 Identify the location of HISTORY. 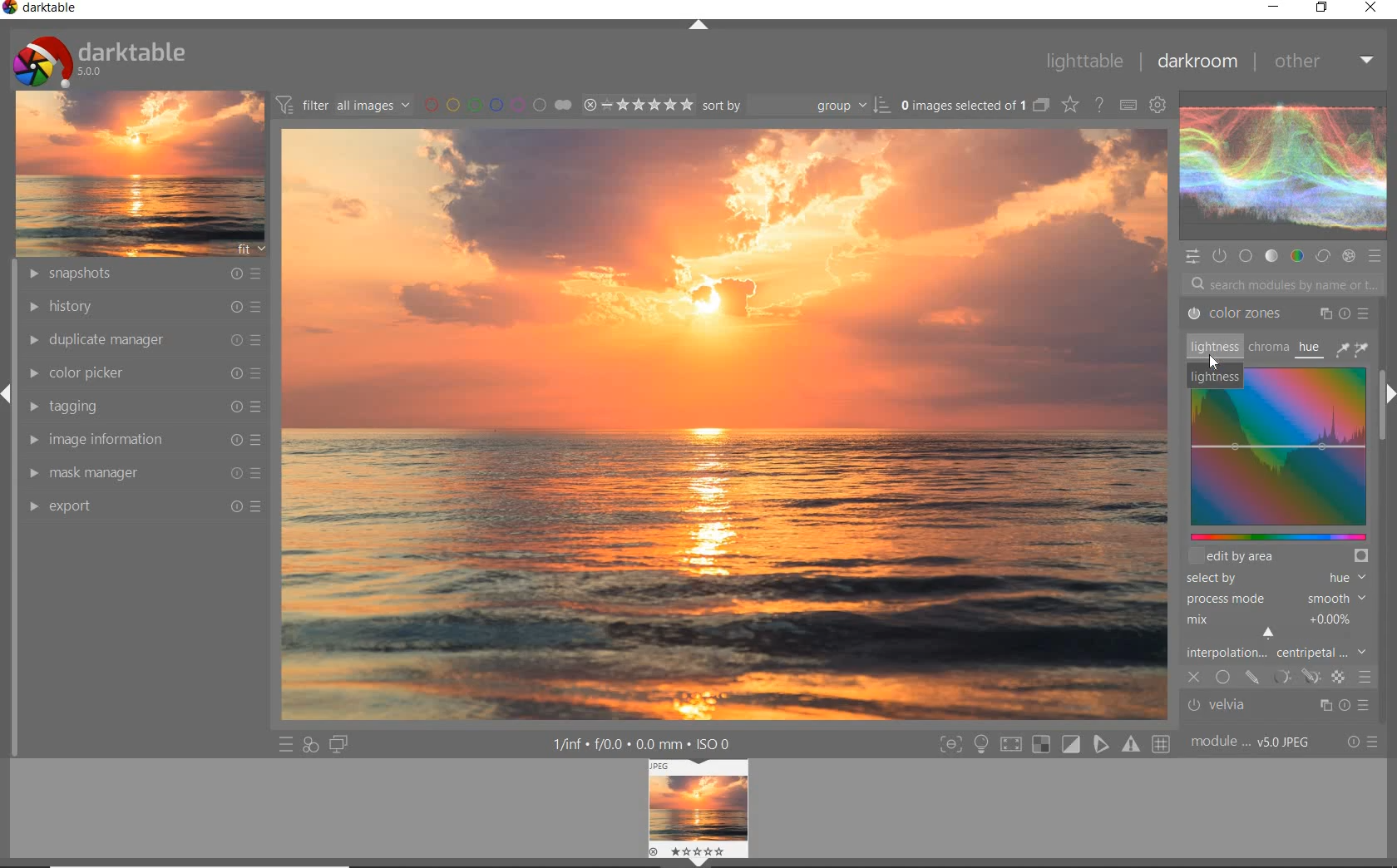
(143, 307).